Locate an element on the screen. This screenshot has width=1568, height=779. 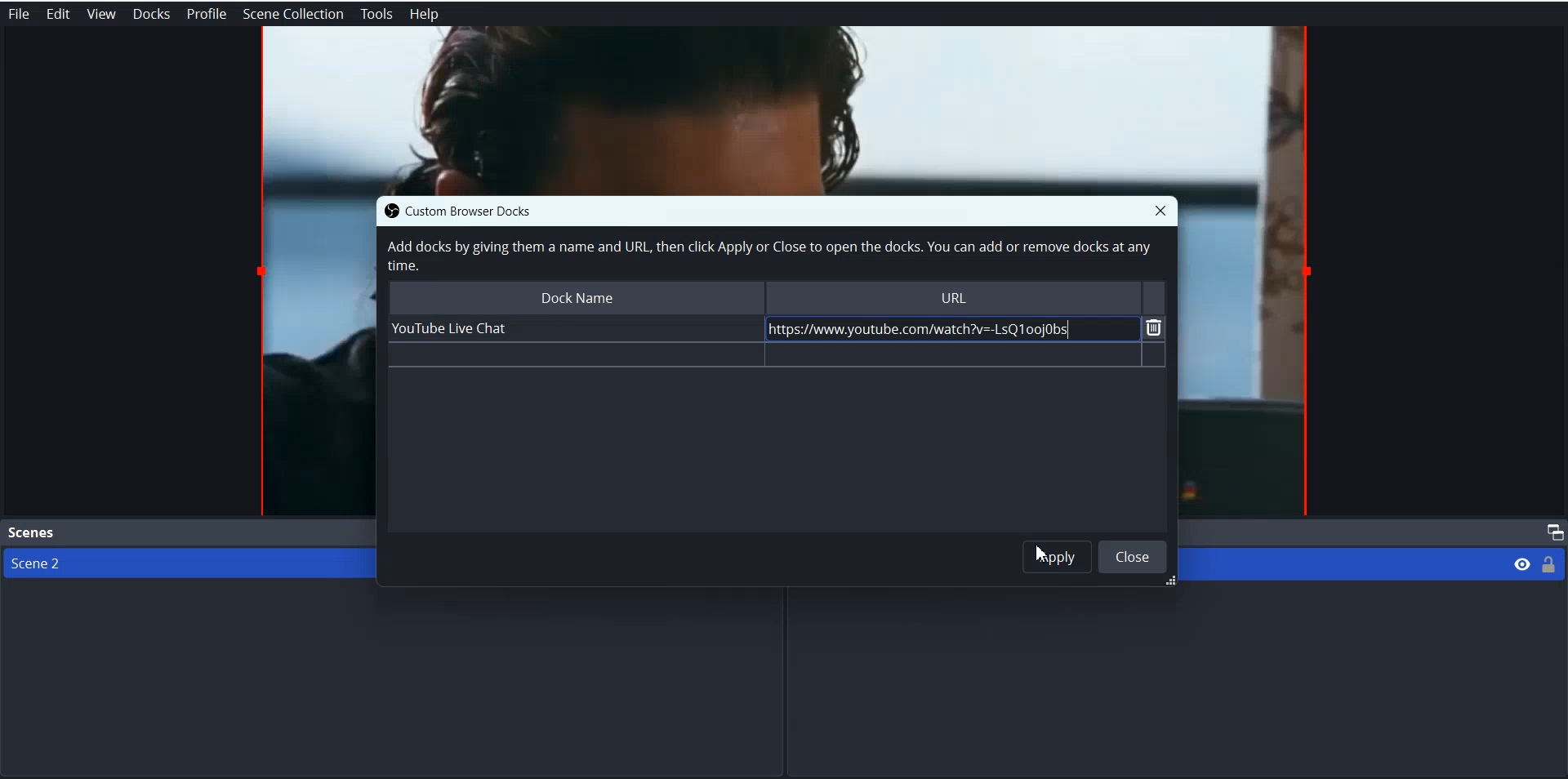
File Preview window is located at coordinates (1249, 358).